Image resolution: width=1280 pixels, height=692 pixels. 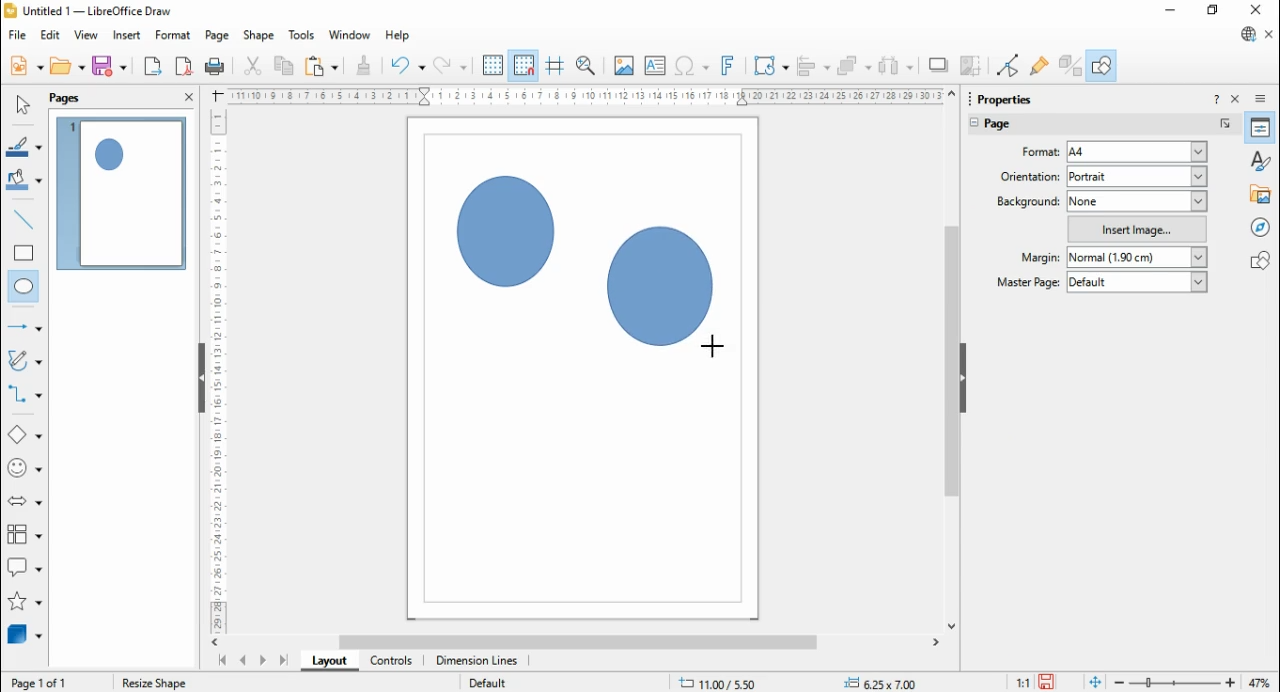 What do you see at coordinates (1138, 228) in the screenshot?
I see `insert image` at bounding box center [1138, 228].